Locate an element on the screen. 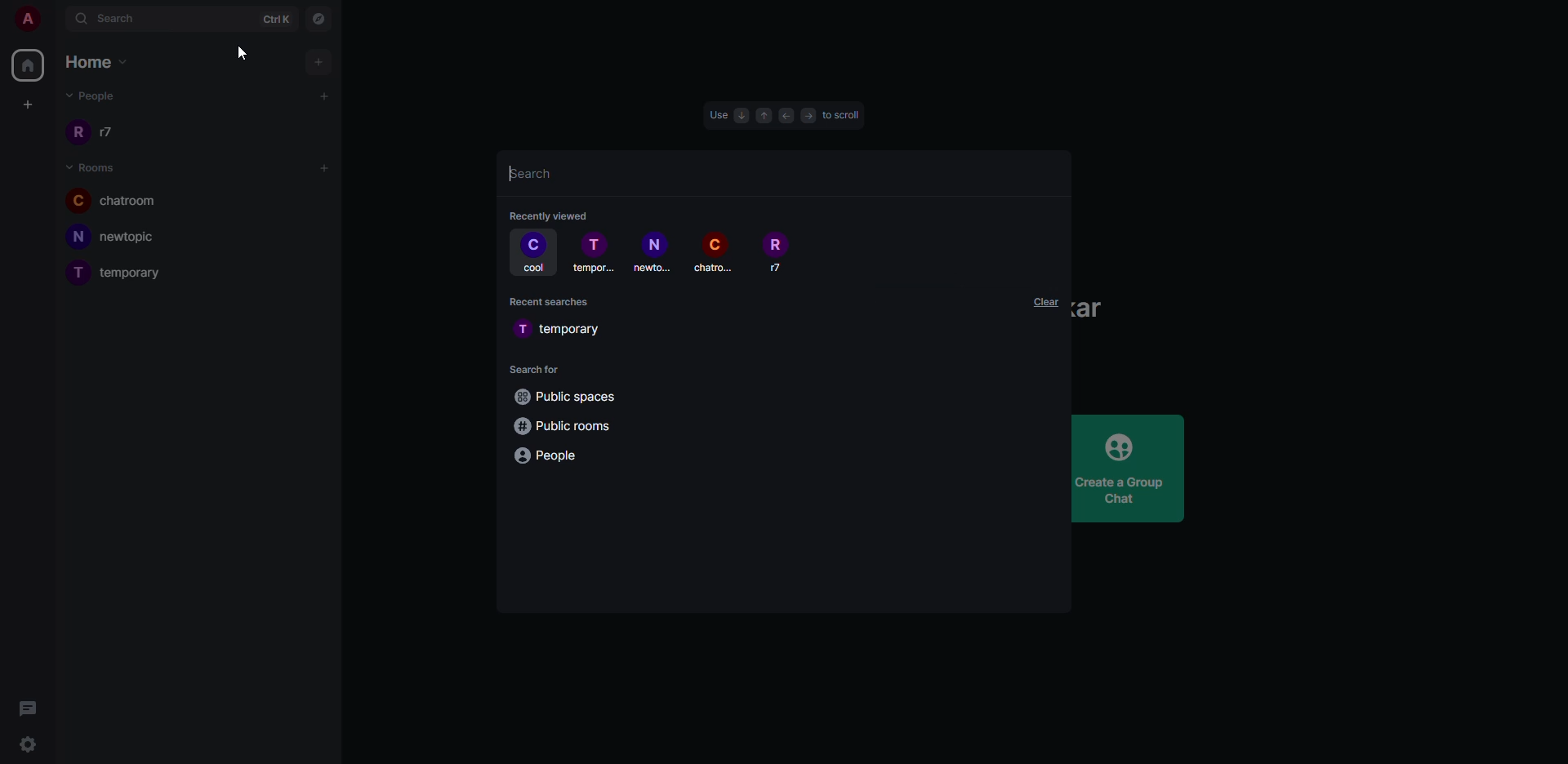 Image resolution: width=1568 pixels, height=764 pixels. room is located at coordinates (115, 200).